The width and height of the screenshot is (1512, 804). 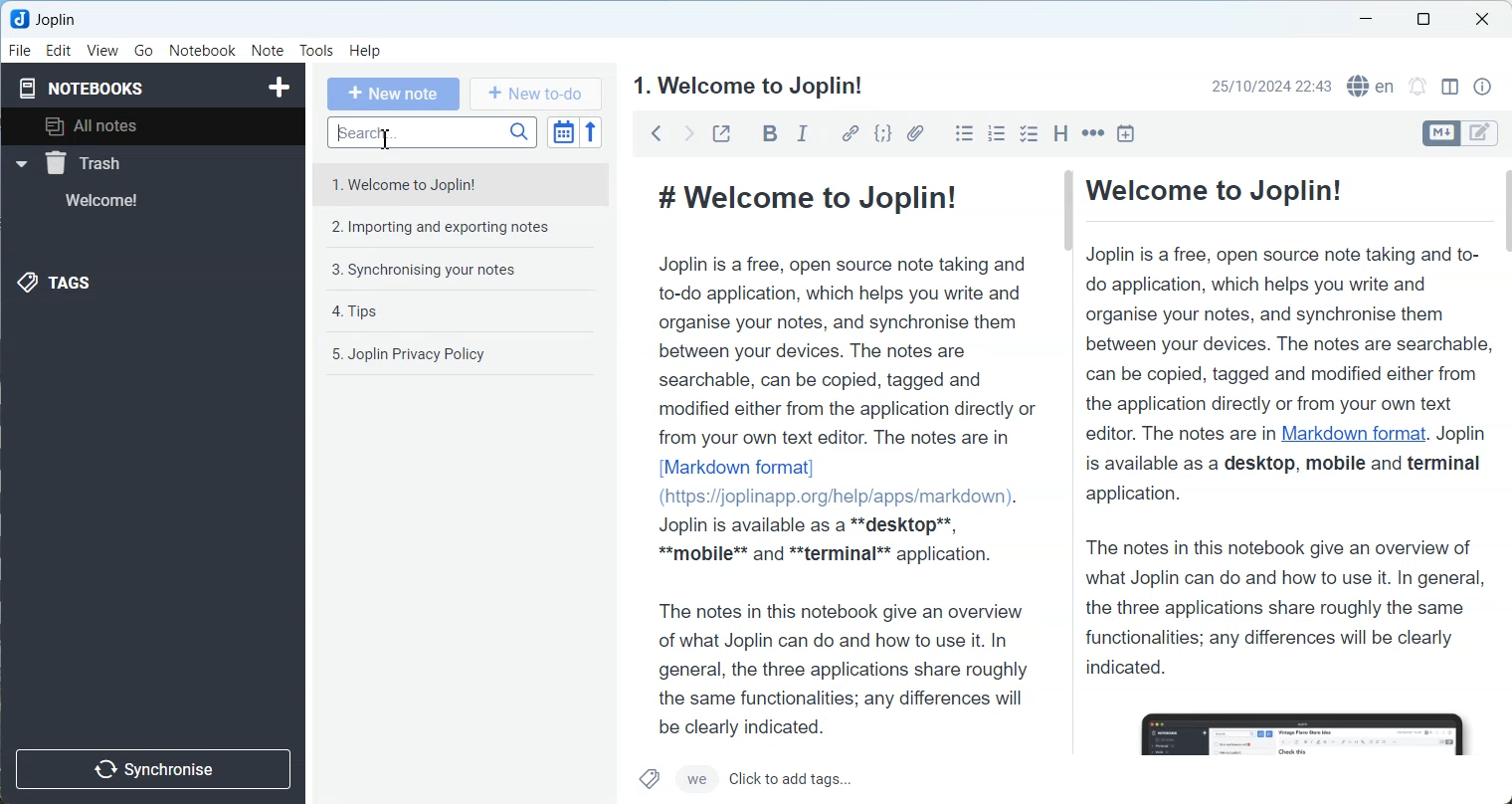 What do you see at coordinates (316, 51) in the screenshot?
I see `Tools` at bounding box center [316, 51].